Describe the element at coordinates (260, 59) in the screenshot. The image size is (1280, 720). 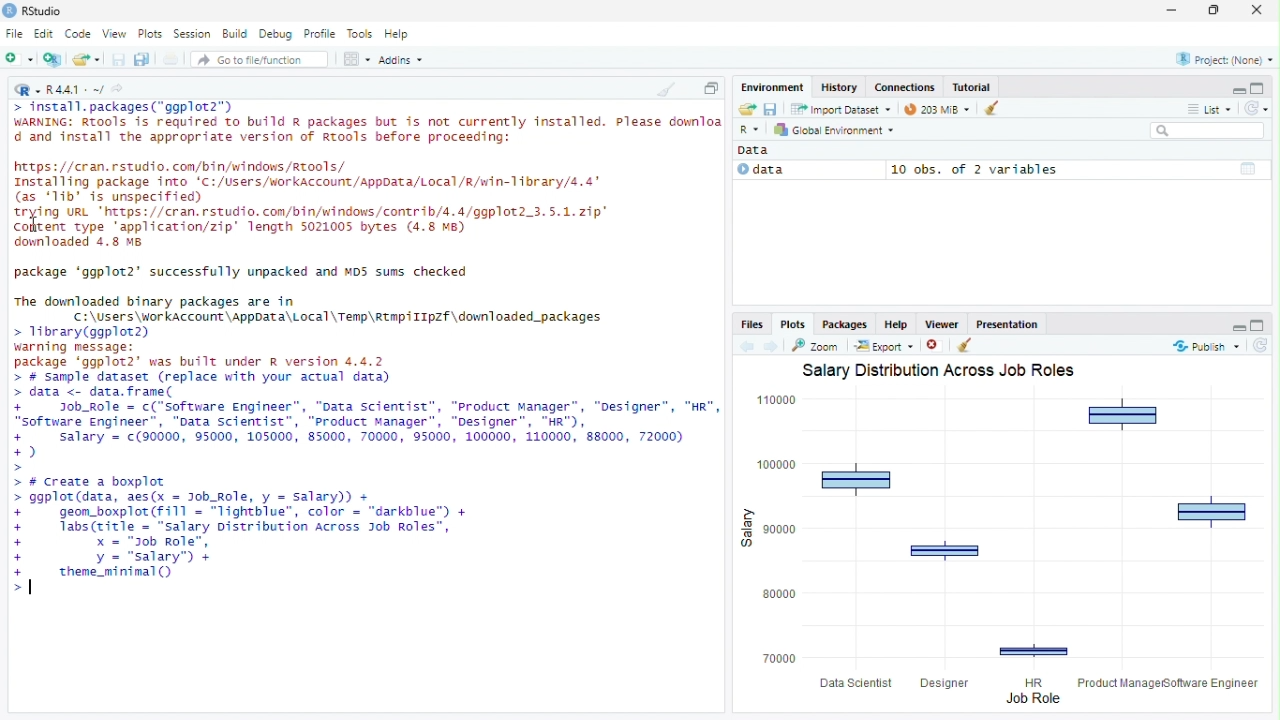
I see `Go to file/function` at that location.